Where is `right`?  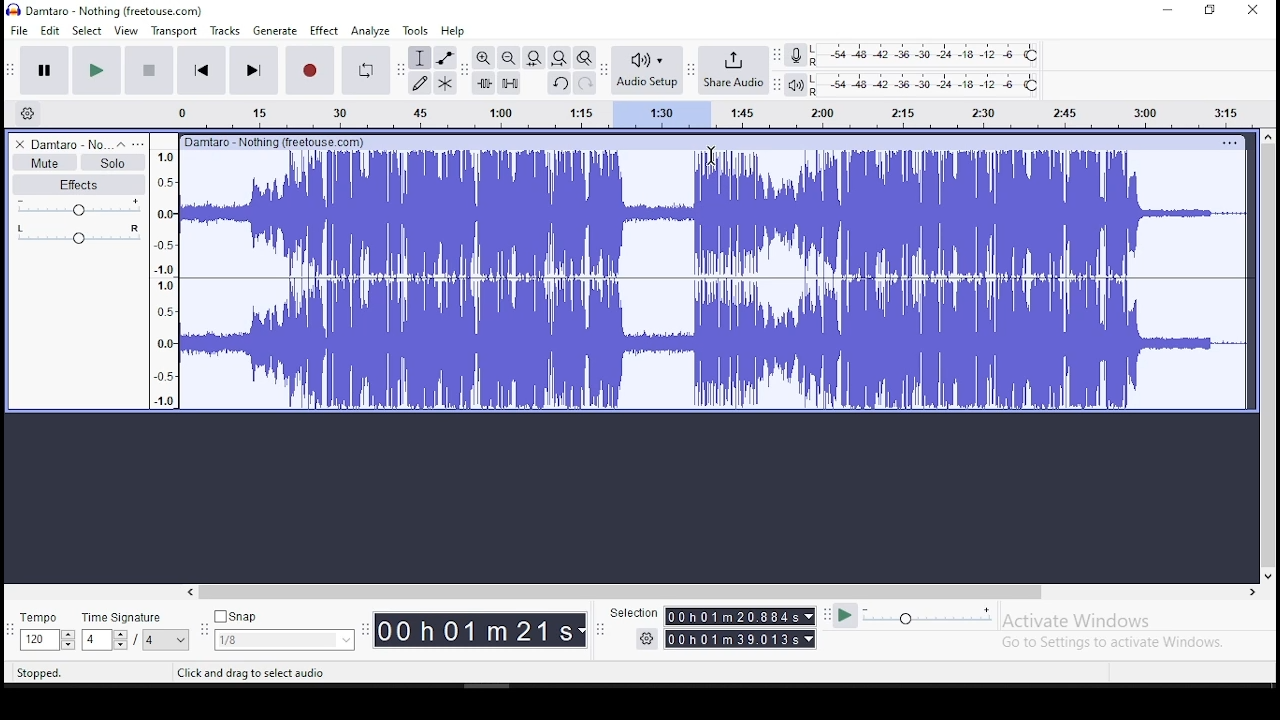 right is located at coordinates (1251, 592).